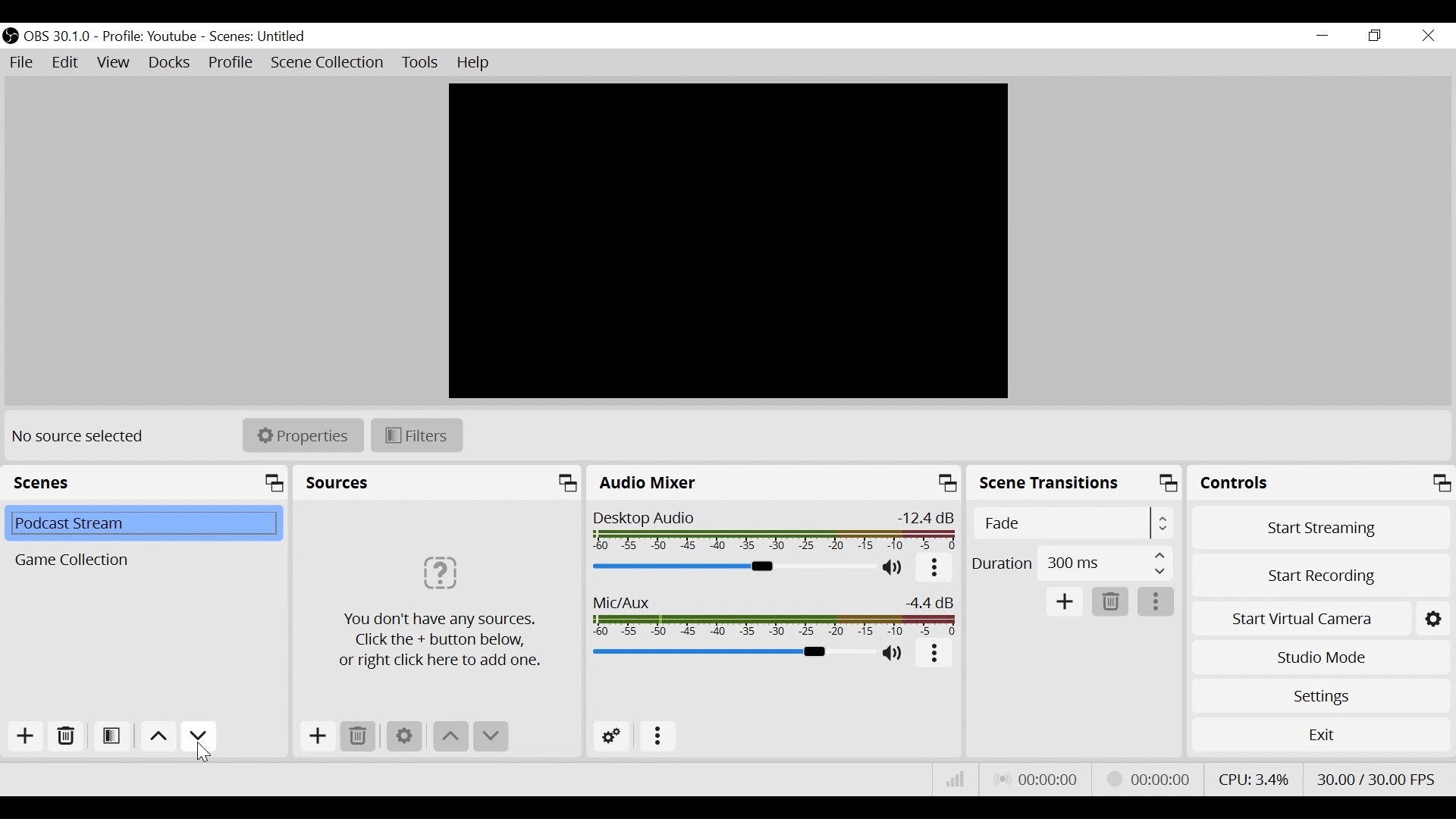  What do you see at coordinates (1321, 573) in the screenshot?
I see `Start Recording` at bounding box center [1321, 573].